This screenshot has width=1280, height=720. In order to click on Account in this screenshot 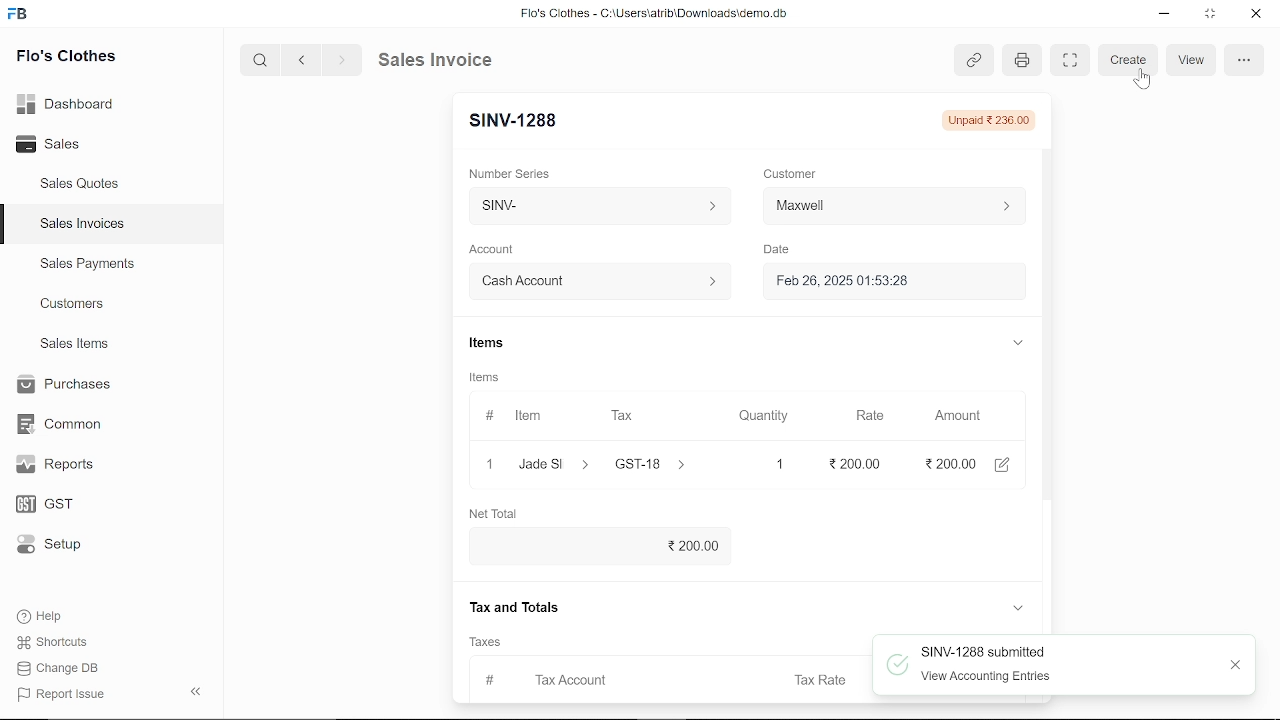, I will do `click(497, 250)`.